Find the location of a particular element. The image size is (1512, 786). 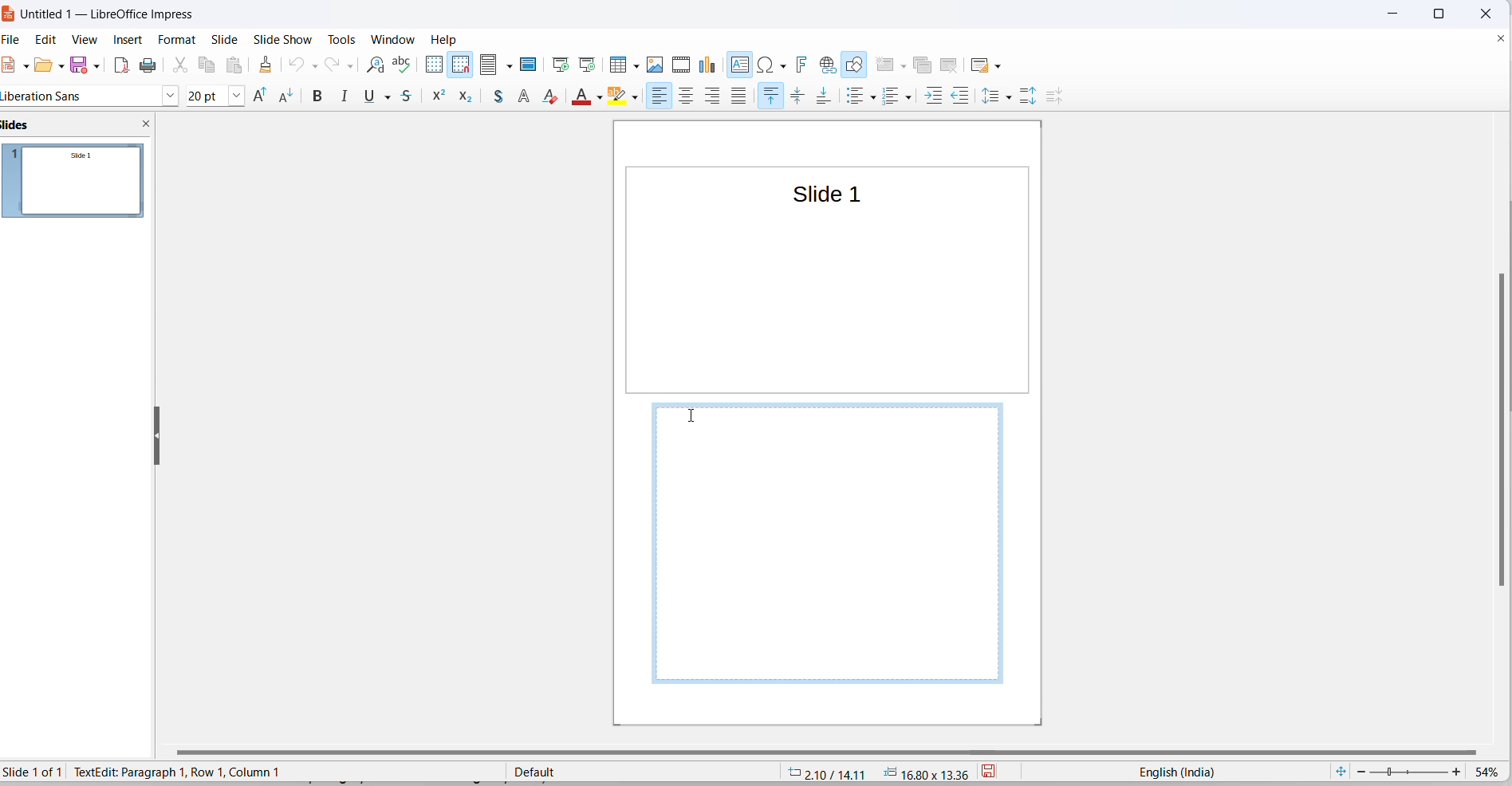

3d objects is located at coordinates (562, 94).